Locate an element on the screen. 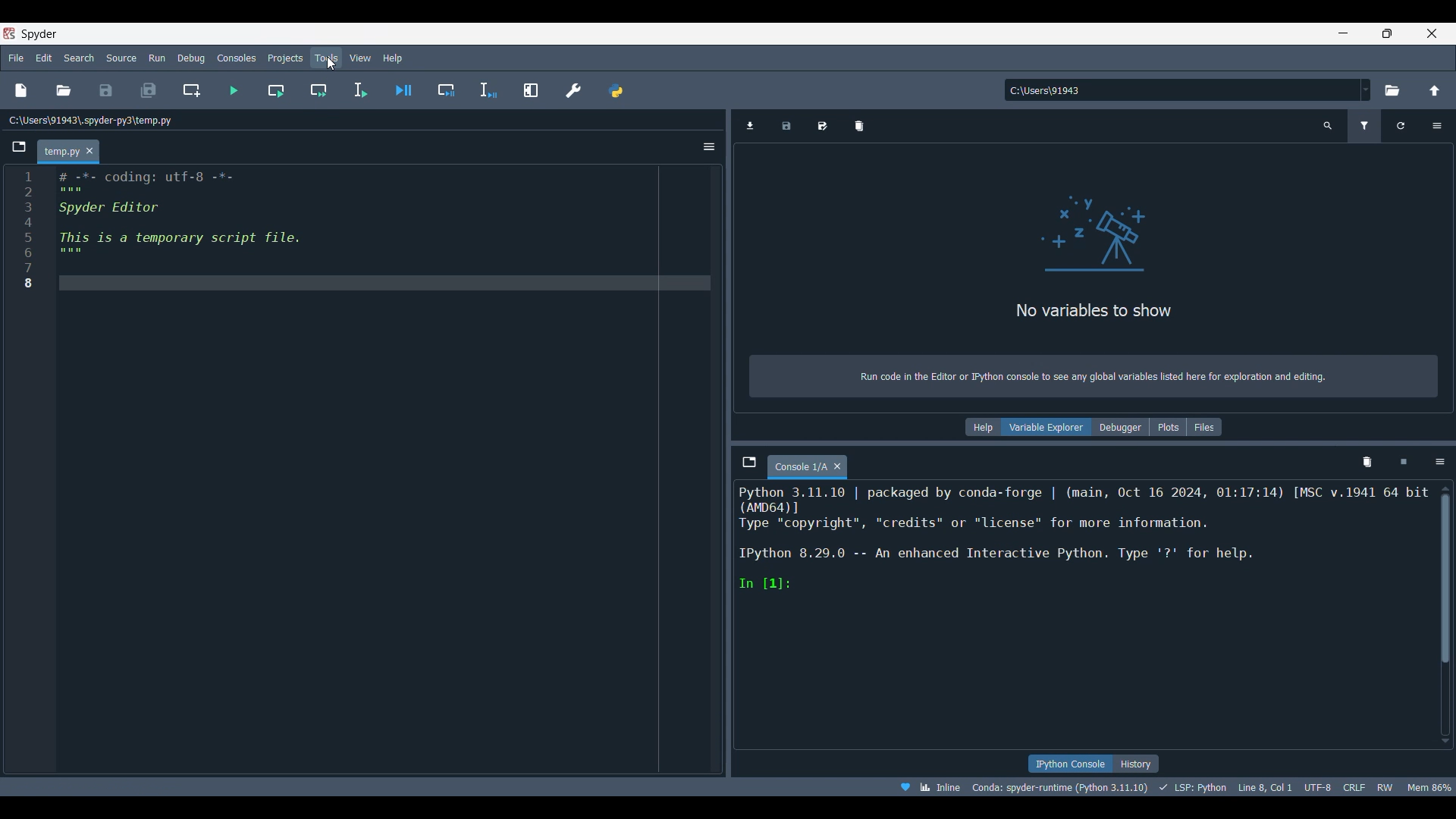 The height and width of the screenshot is (819, 1456). Remove all variables is located at coordinates (860, 126).